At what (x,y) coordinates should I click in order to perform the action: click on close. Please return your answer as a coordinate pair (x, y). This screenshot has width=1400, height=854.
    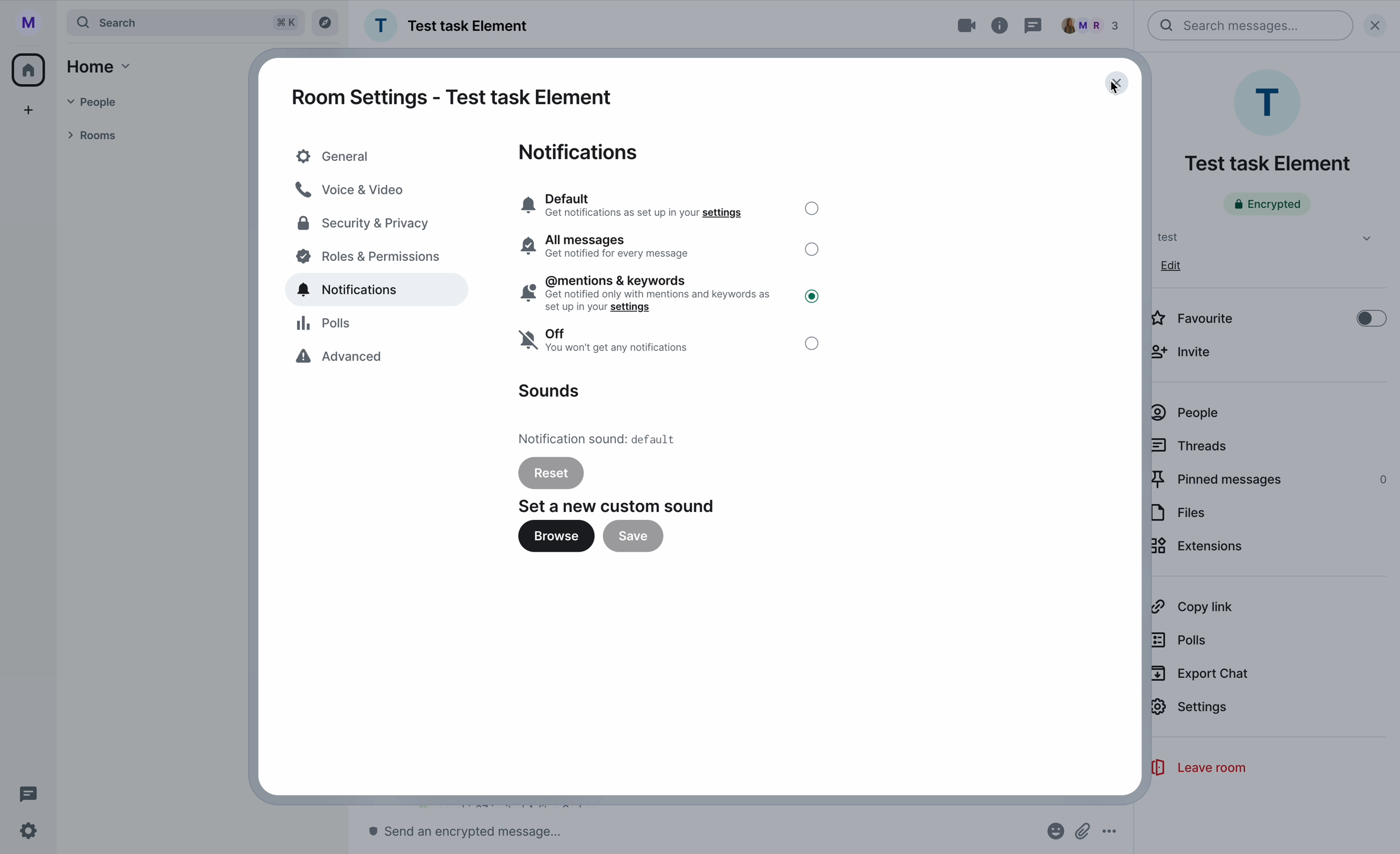
    Looking at the image, I should click on (1380, 24).